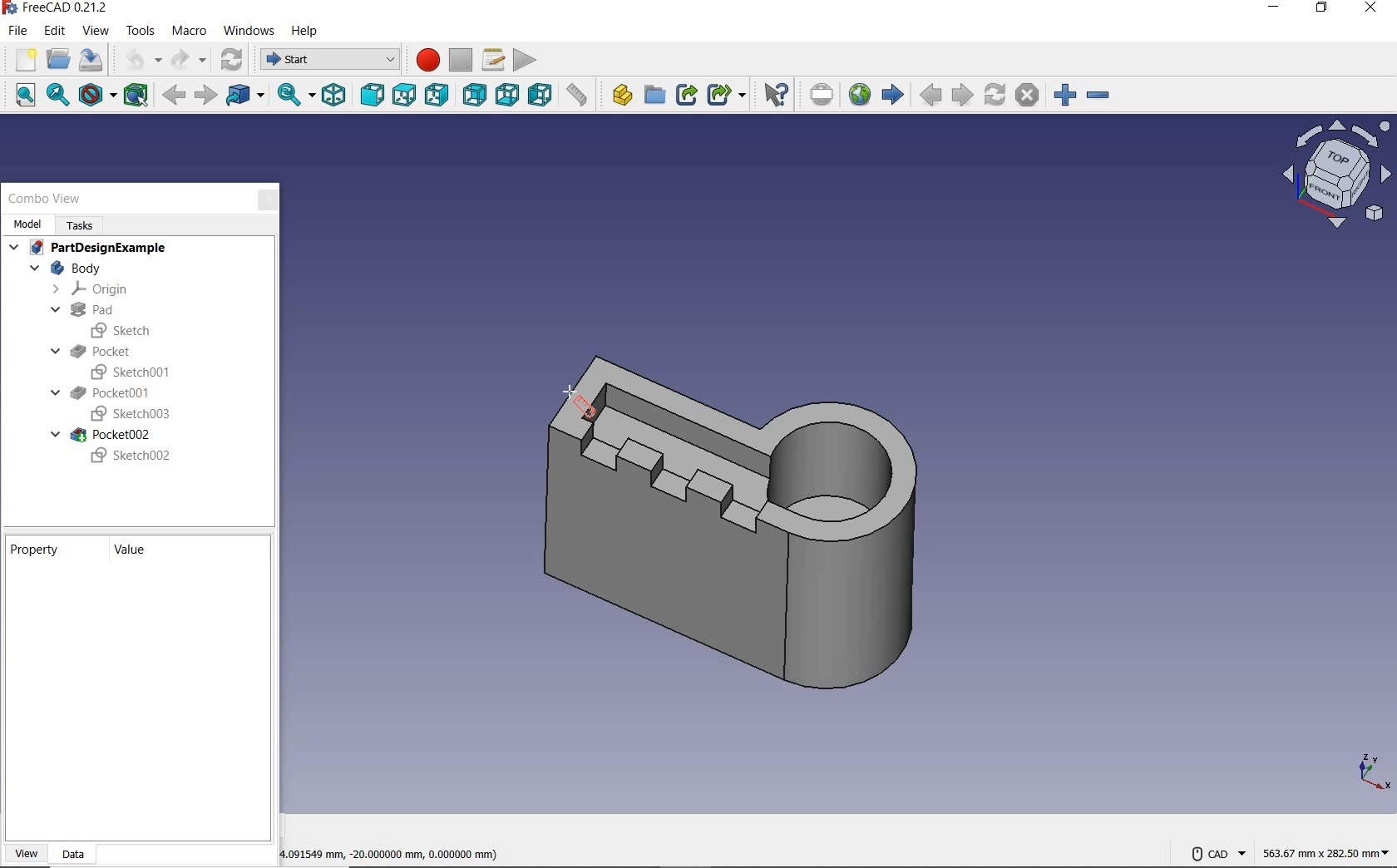  I want to click on make link, so click(686, 95).